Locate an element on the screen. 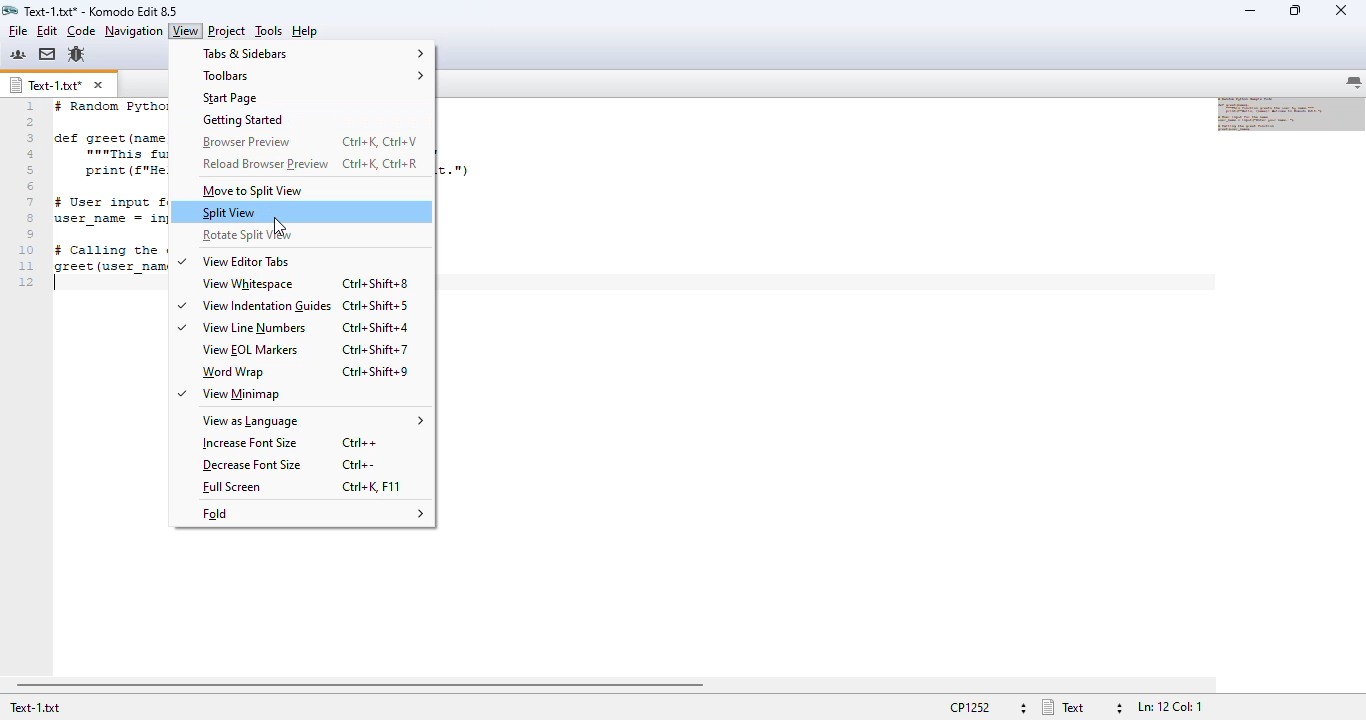  tabs & sidebars is located at coordinates (313, 54).